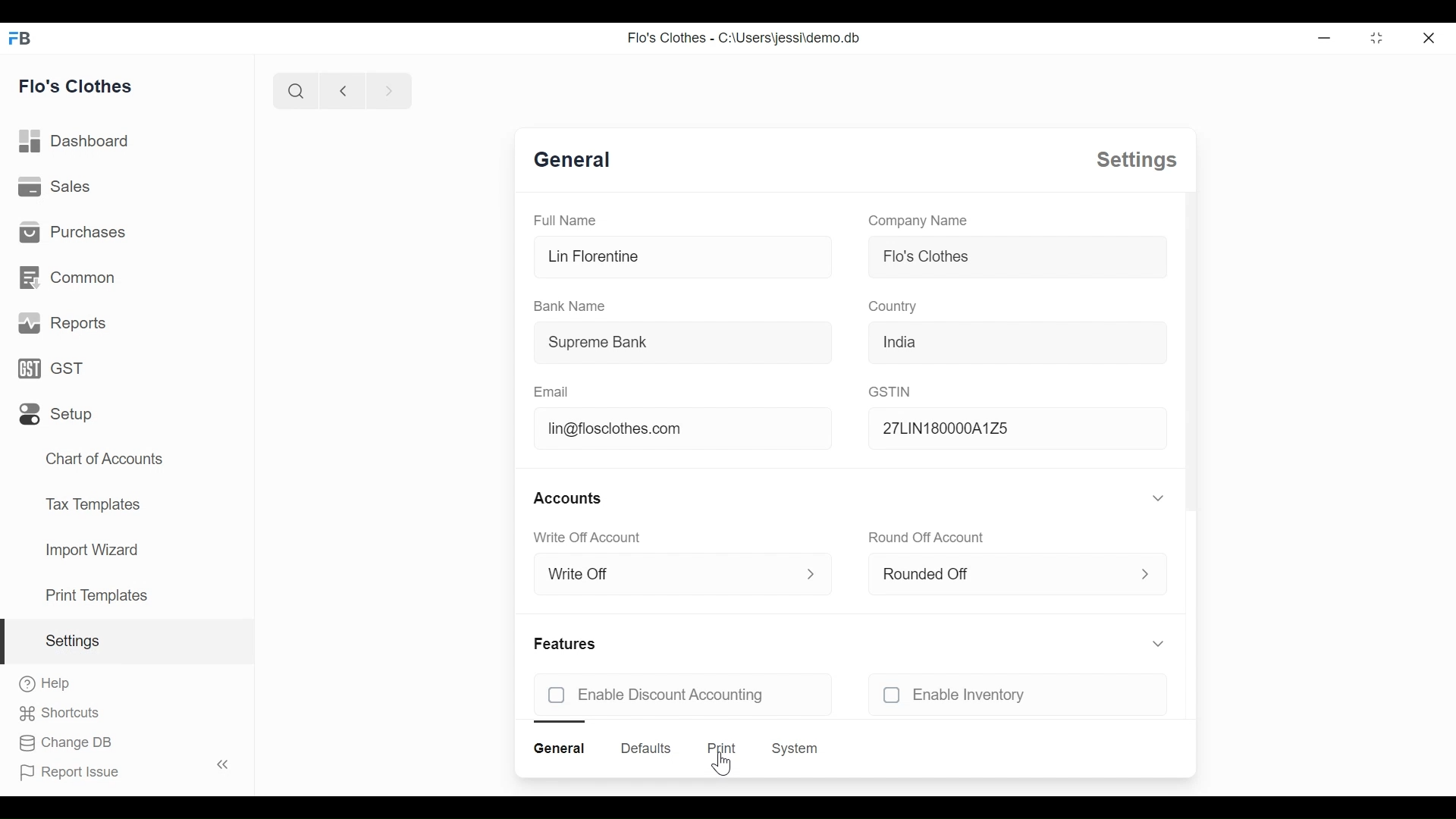 The width and height of the screenshot is (1456, 819). What do you see at coordinates (745, 37) in the screenshot?
I see `Flo's Clothes - C:\Users\jessi\demo.db` at bounding box center [745, 37].